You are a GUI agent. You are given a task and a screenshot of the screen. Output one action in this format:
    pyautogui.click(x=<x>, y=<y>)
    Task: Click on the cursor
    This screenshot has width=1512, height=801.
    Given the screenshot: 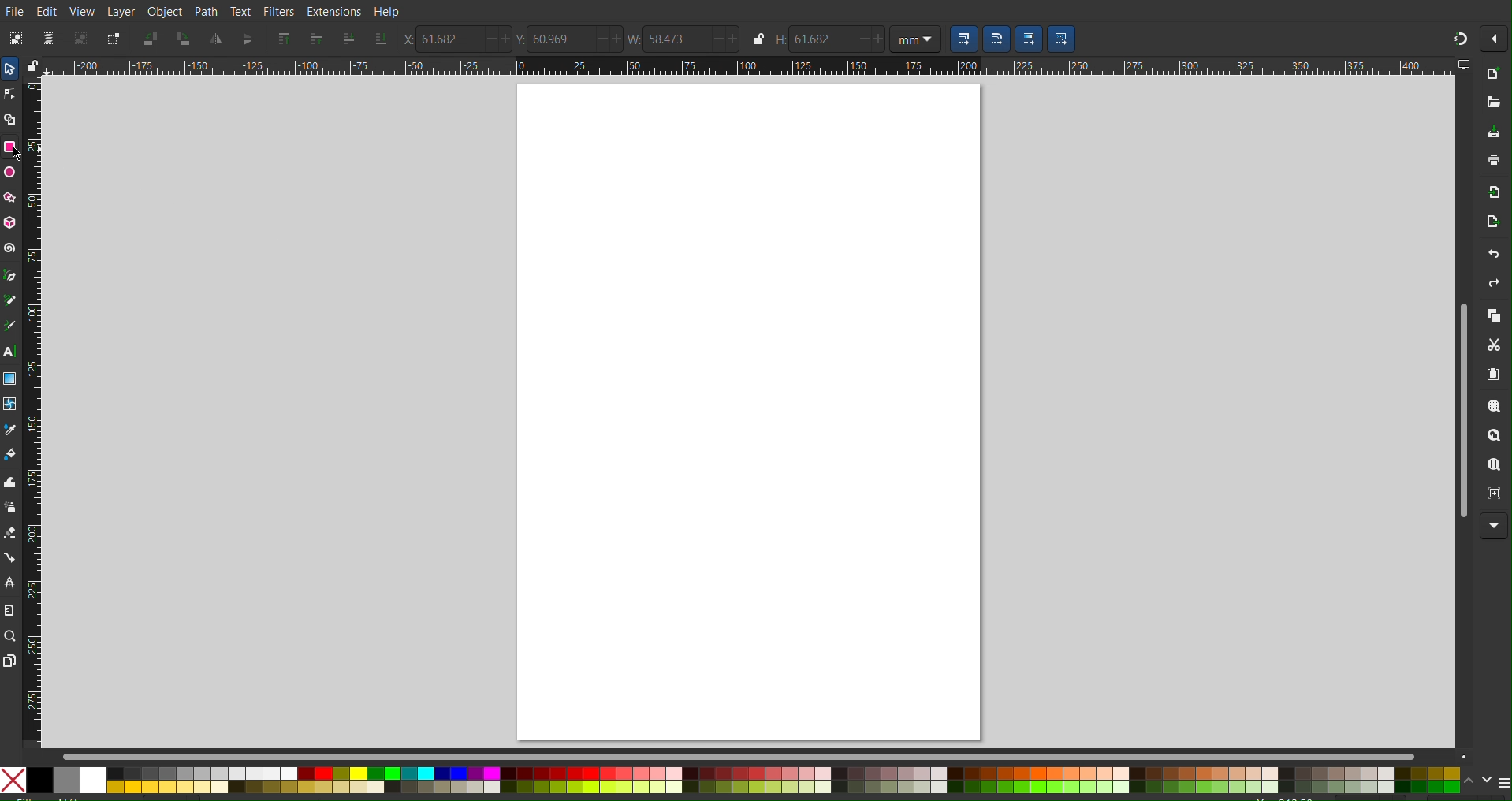 What is the action you would take?
    pyautogui.click(x=15, y=155)
    